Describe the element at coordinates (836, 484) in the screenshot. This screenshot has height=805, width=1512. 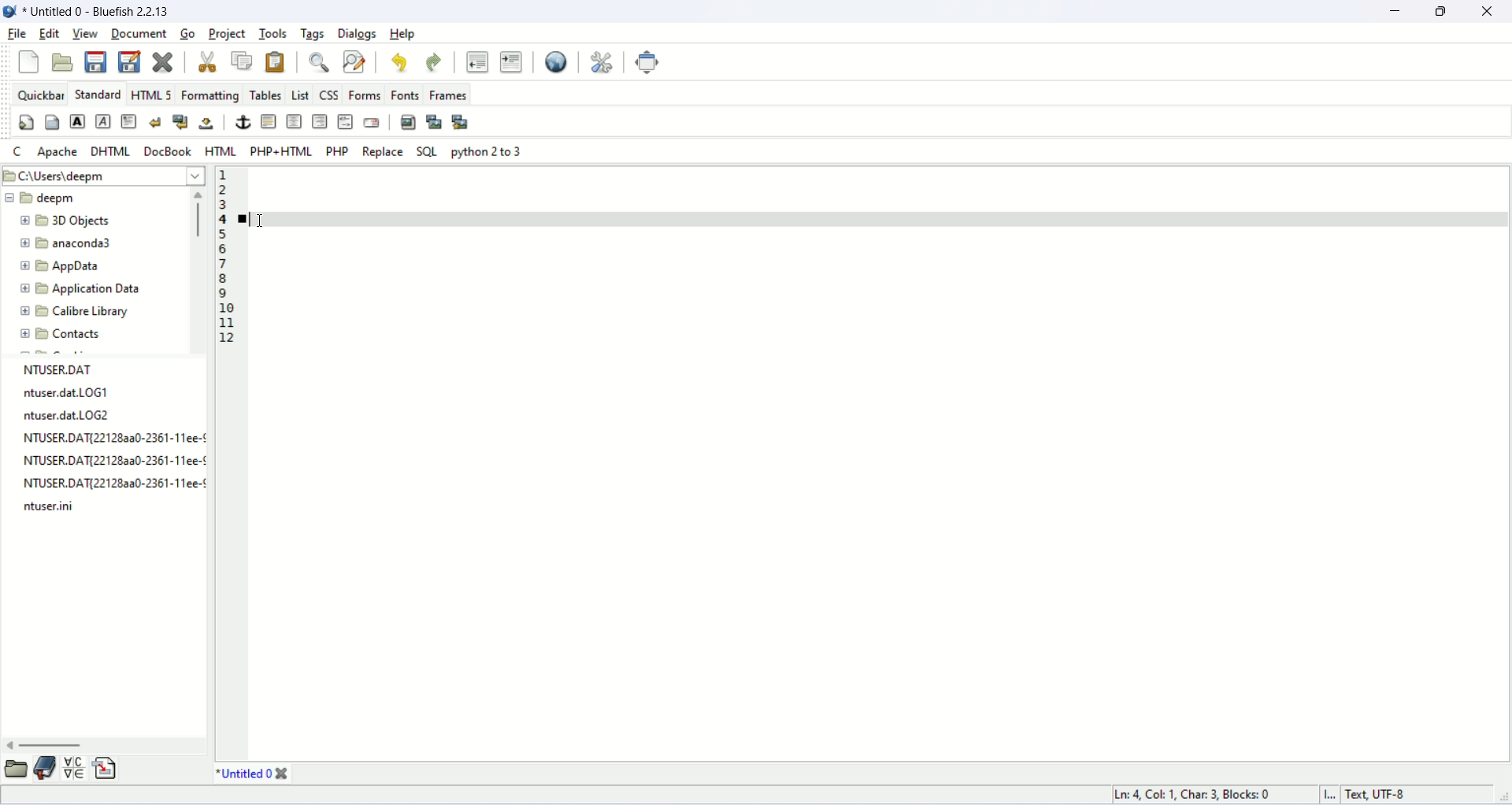
I see `workspace` at that location.